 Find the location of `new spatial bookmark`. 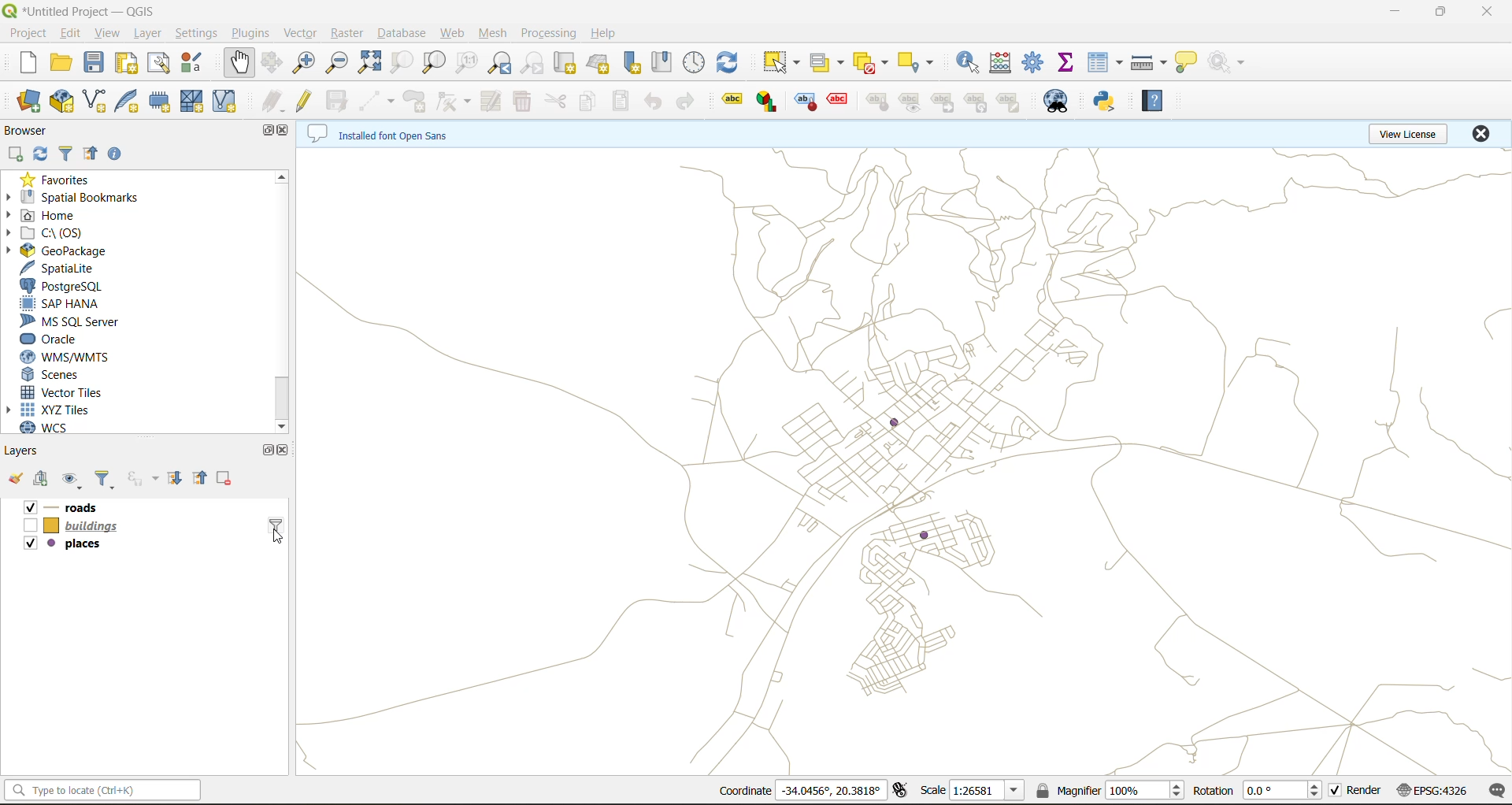

new spatial bookmark is located at coordinates (637, 63).